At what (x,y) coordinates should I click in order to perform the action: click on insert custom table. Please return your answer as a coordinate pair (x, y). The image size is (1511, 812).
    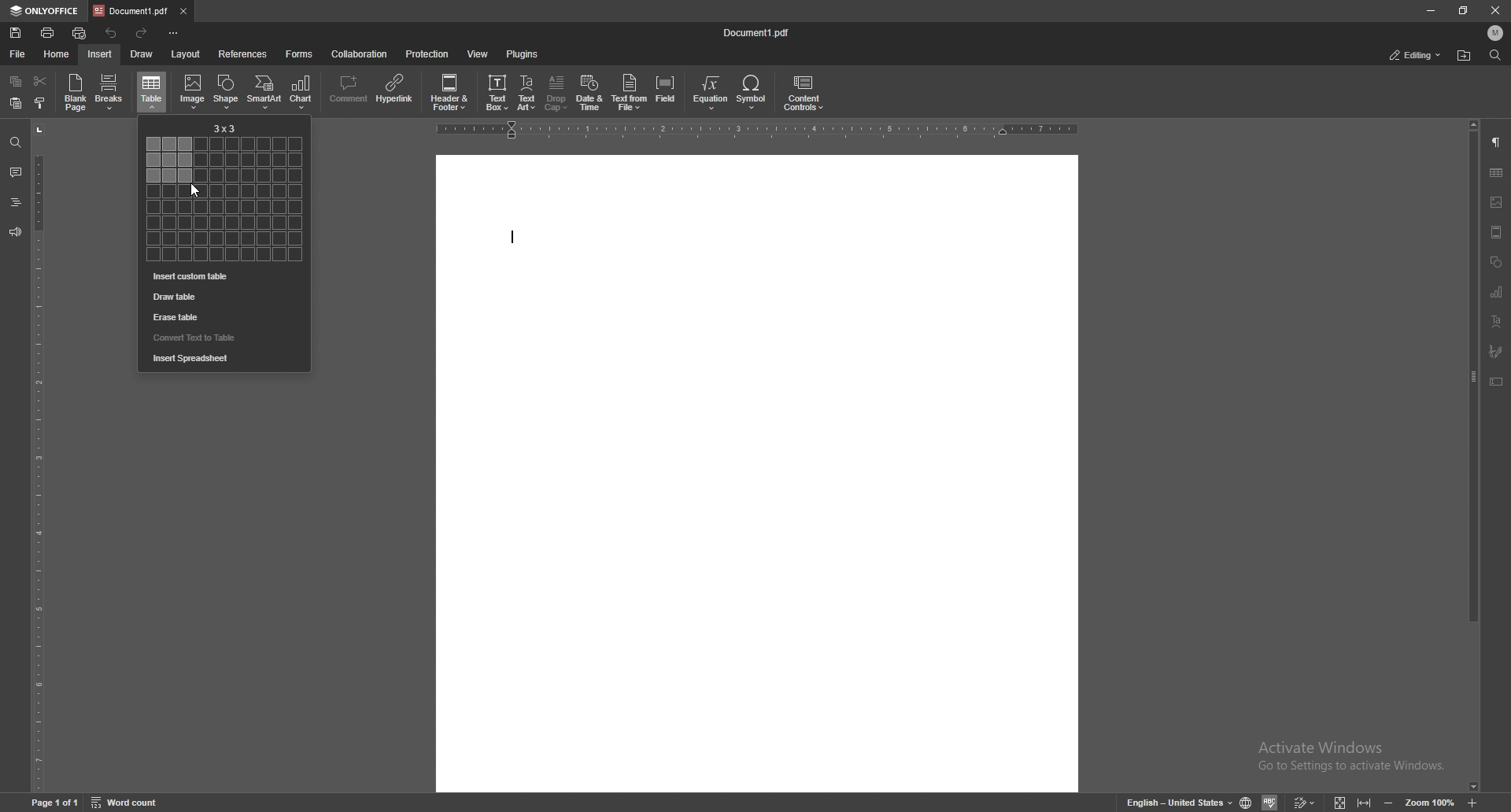
    Looking at the image, I should click on (222, 277).